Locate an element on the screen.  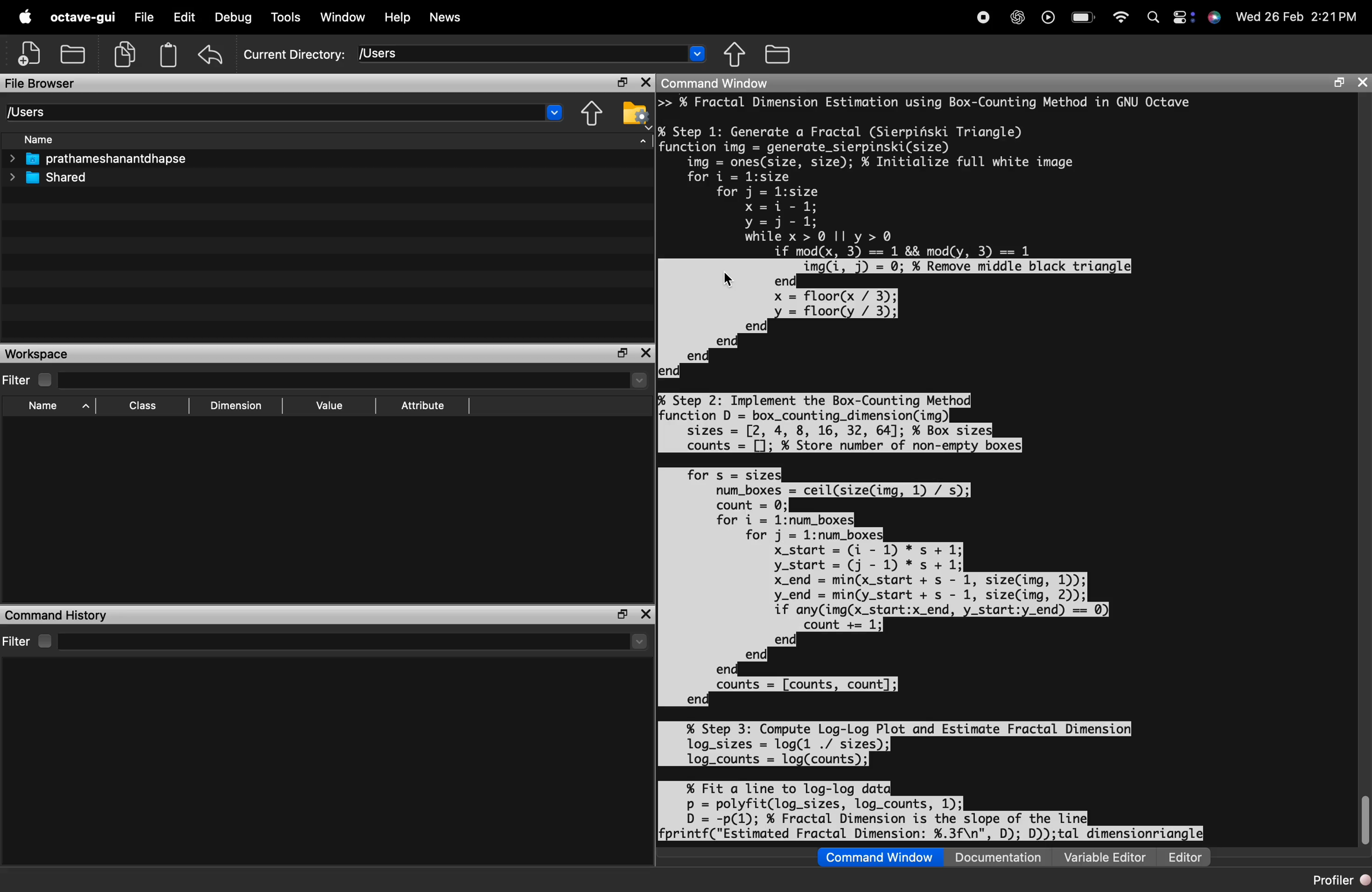
filter input field is located at coordinates (342, 642).